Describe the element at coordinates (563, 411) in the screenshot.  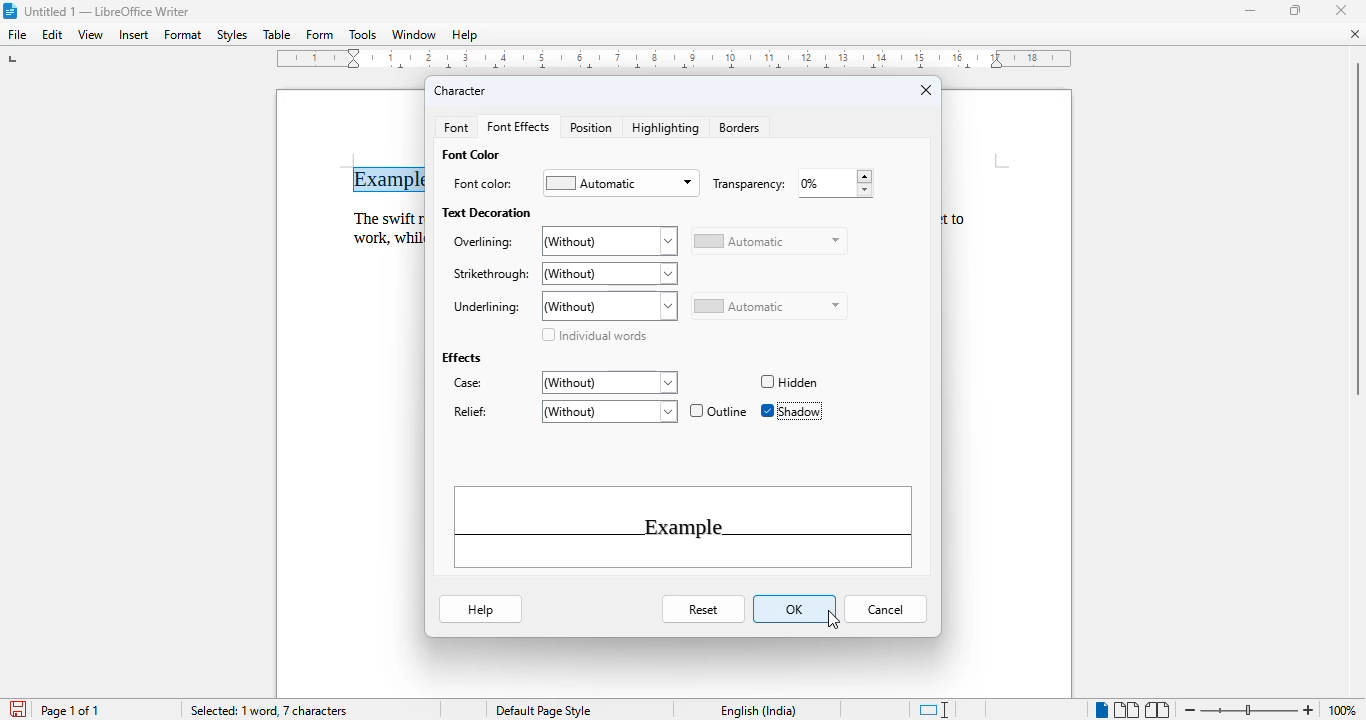
I see `relief: (Without)` at that location.